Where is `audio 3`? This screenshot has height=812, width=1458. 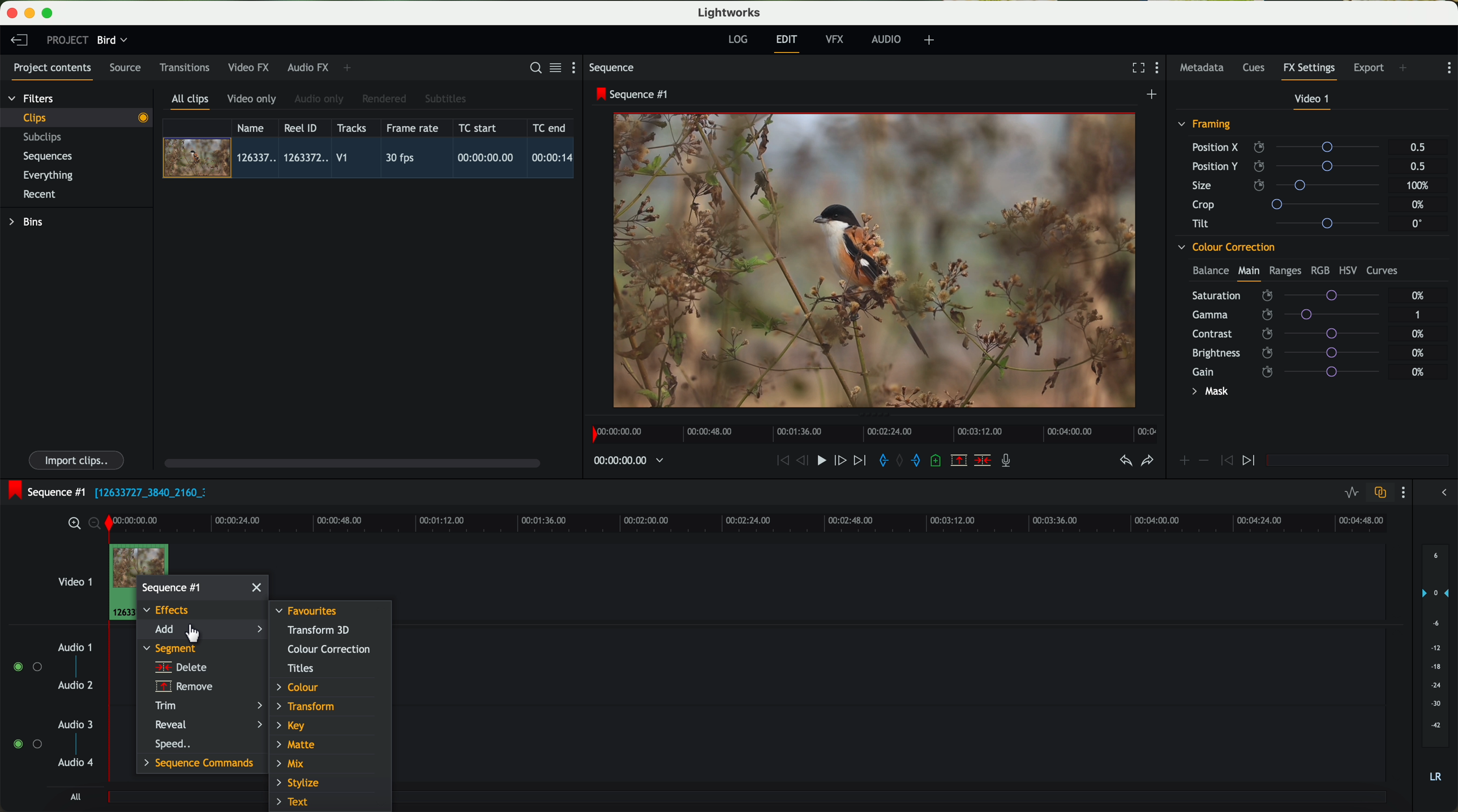
audio 3 is located at coordinates (70, 724).